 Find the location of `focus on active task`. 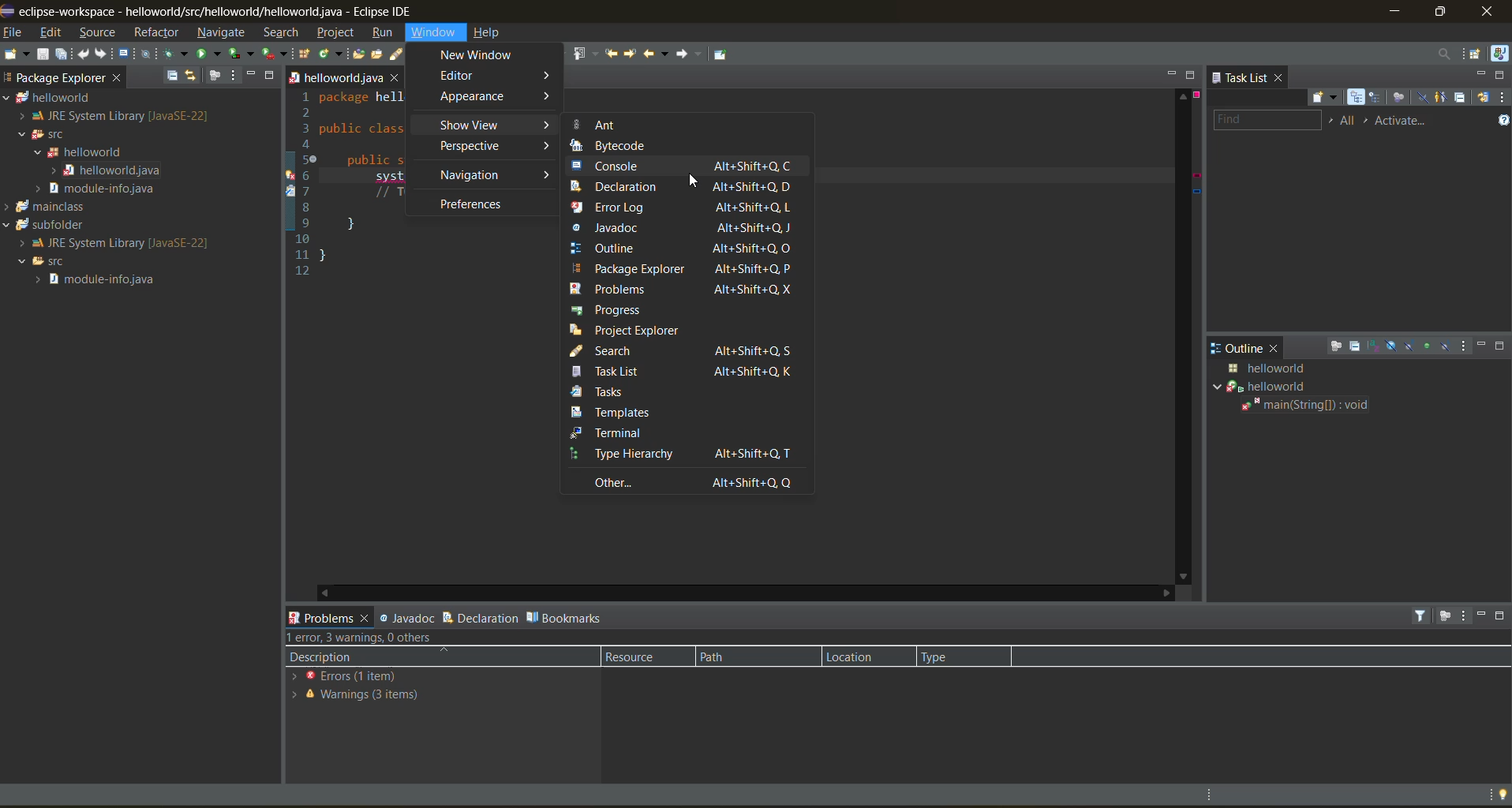

focus on active task is located at coordinates (1450, 614).